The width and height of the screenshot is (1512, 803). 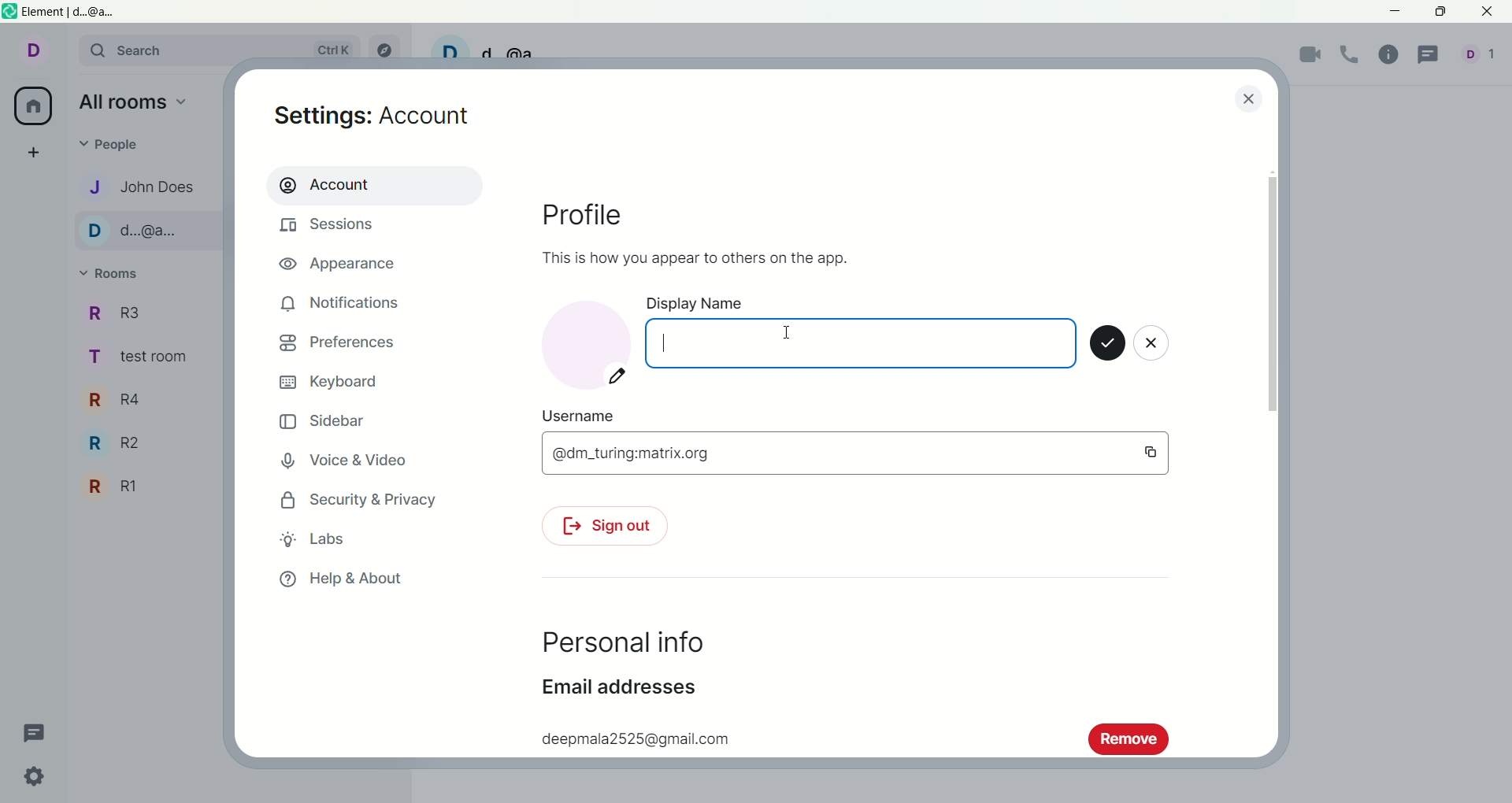 I want to click on mouse cursor, so click(x=788, y=331).